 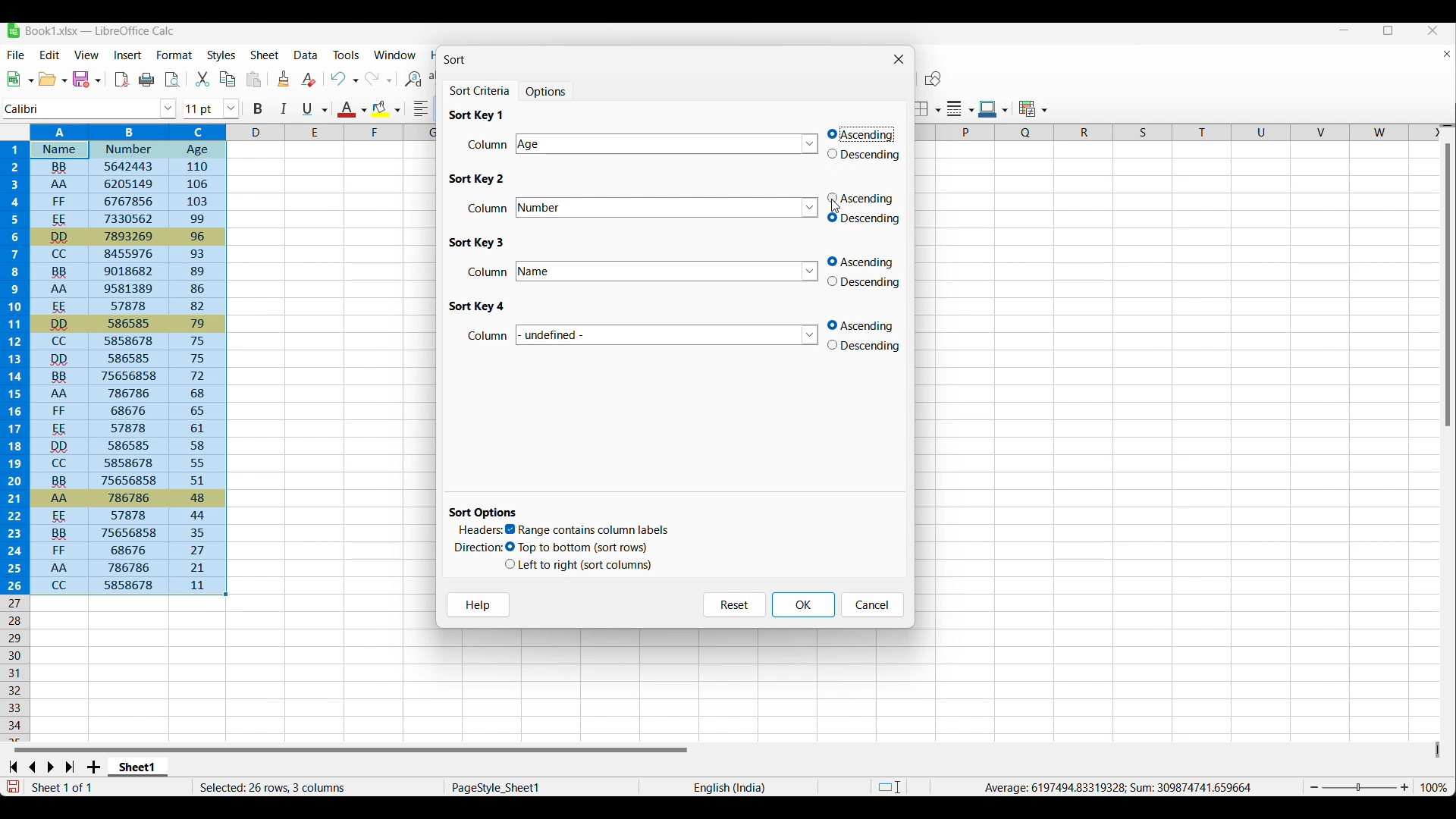 What do you see at coordinates (868, 157) in the screenshot?
I see `descending` at bounding box center [868, 157].